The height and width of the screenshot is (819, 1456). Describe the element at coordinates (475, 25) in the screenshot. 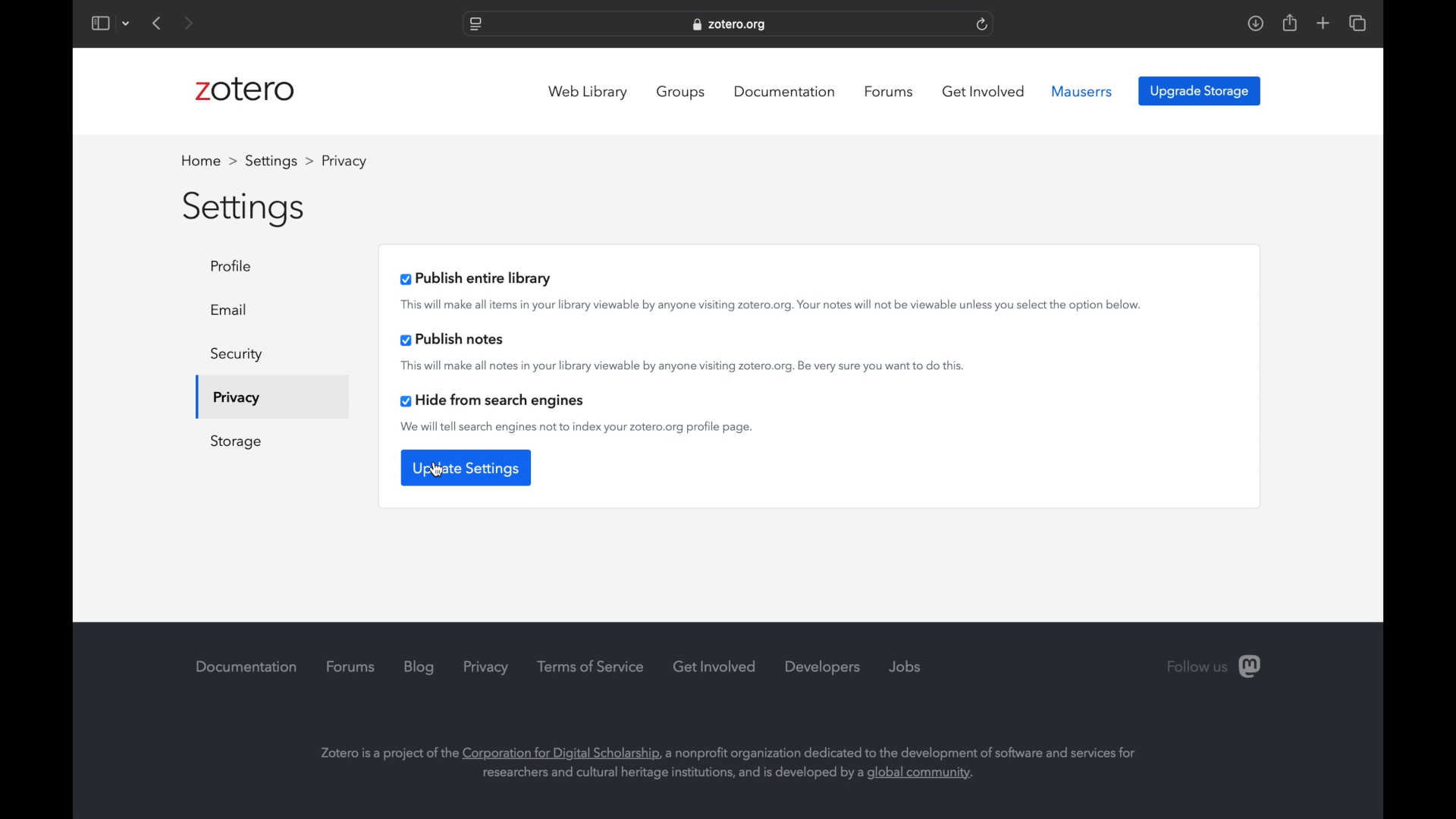

I see `website settings` at that location.